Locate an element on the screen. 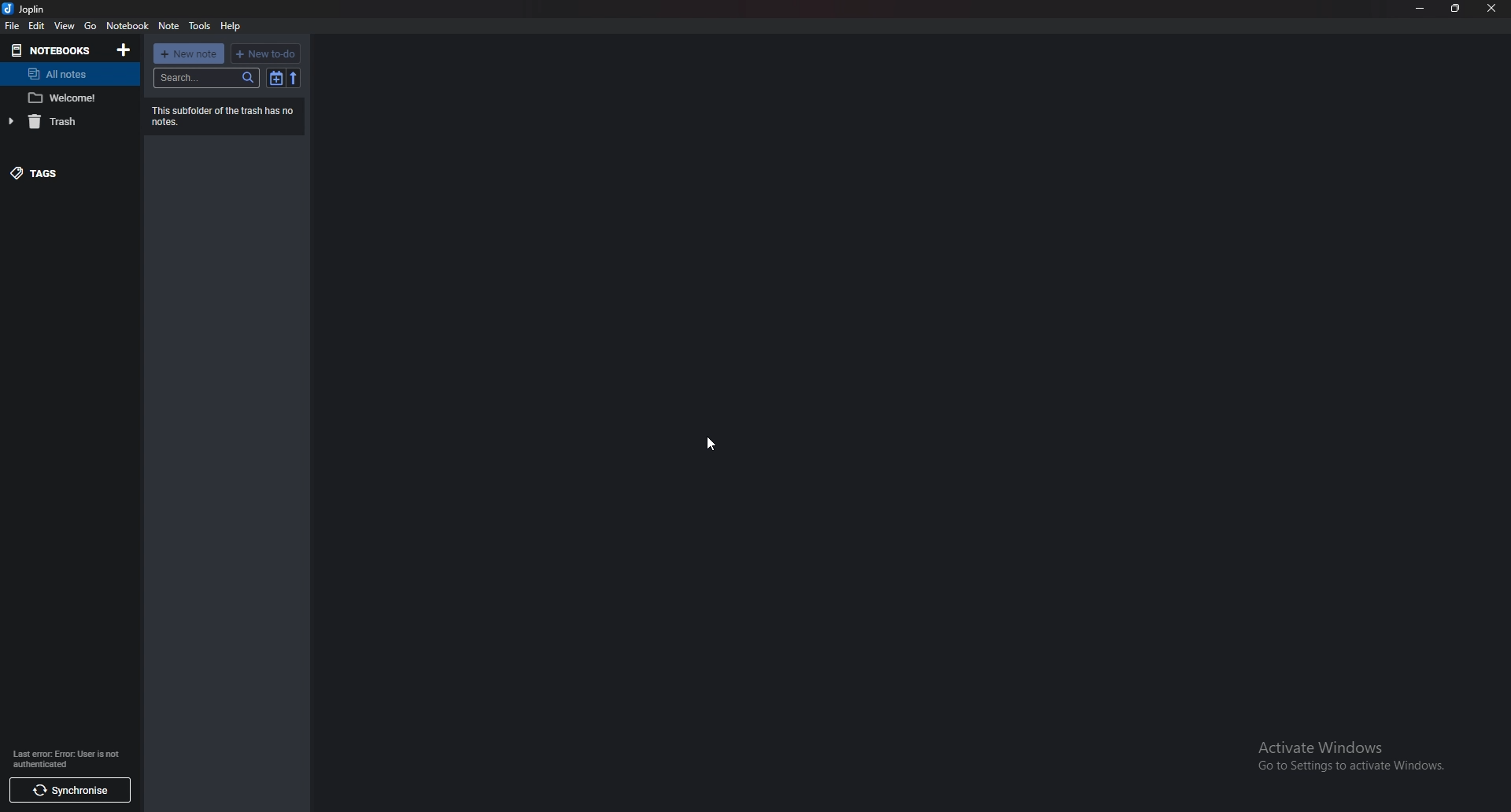 The width and height of the screenshot is (1511, 812). Note is located at coordinates (168, 26).